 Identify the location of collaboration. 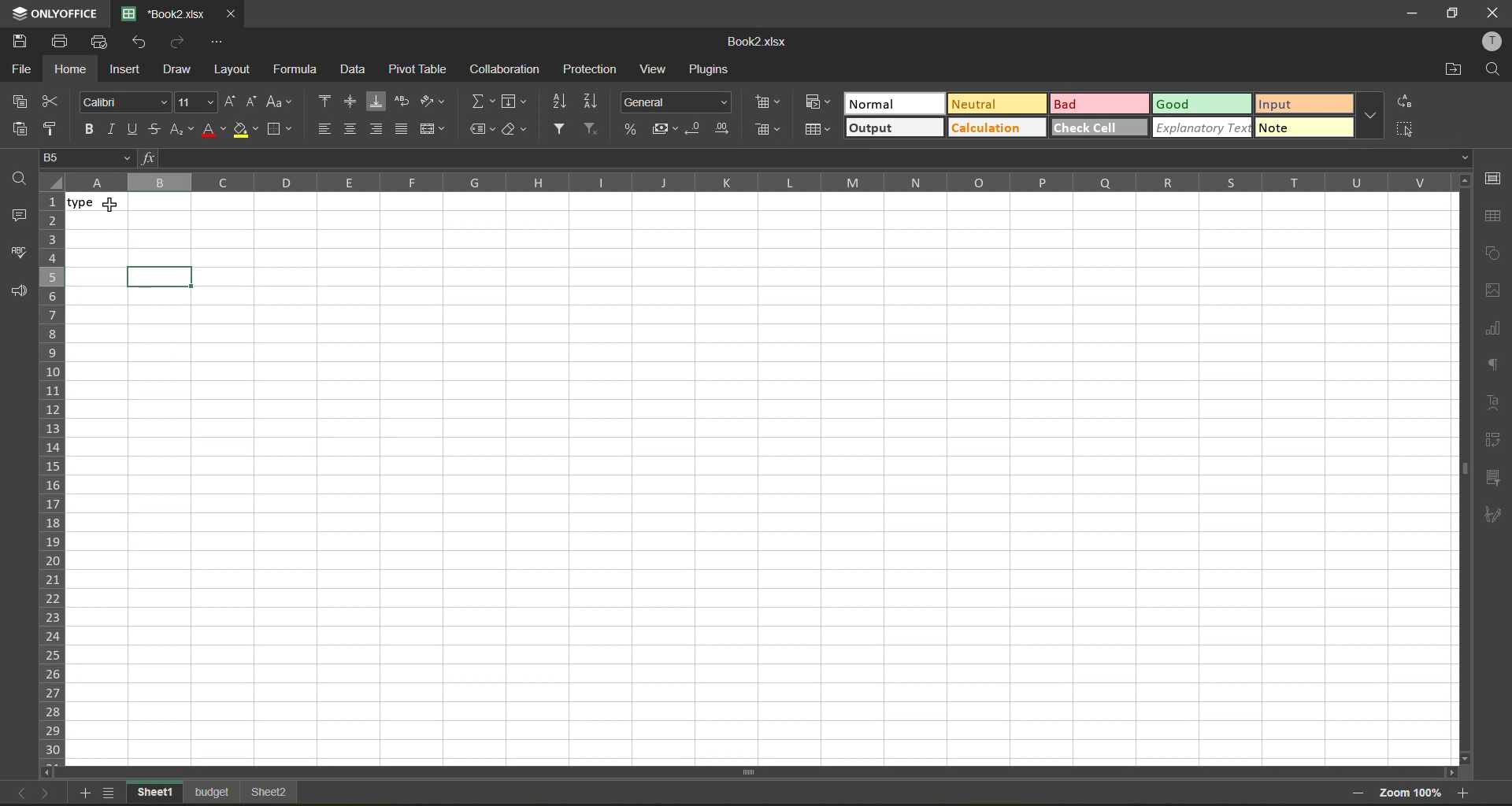
(510, 68).